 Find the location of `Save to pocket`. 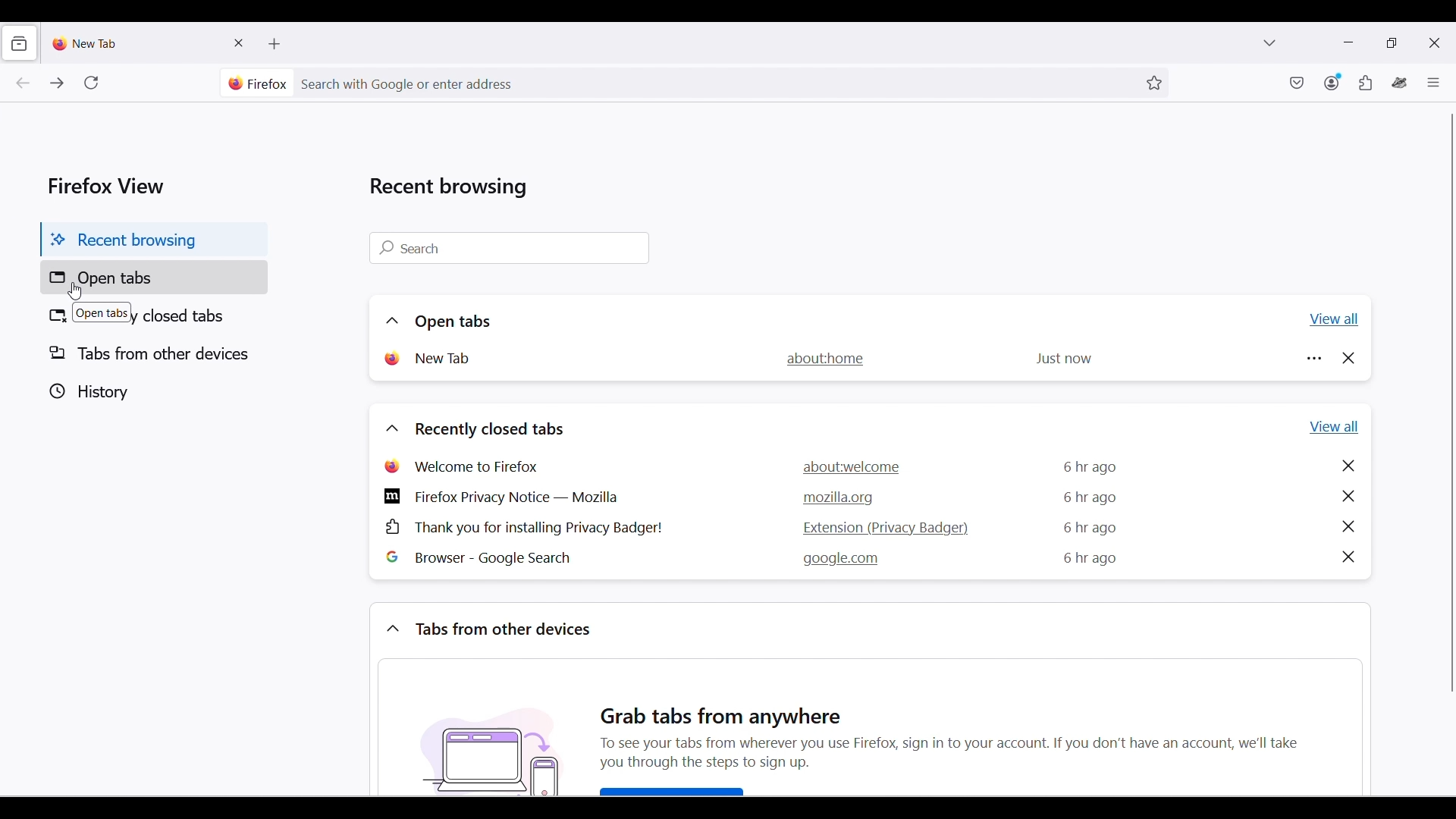

Save to pocket is located at coordinates (1298, 83).